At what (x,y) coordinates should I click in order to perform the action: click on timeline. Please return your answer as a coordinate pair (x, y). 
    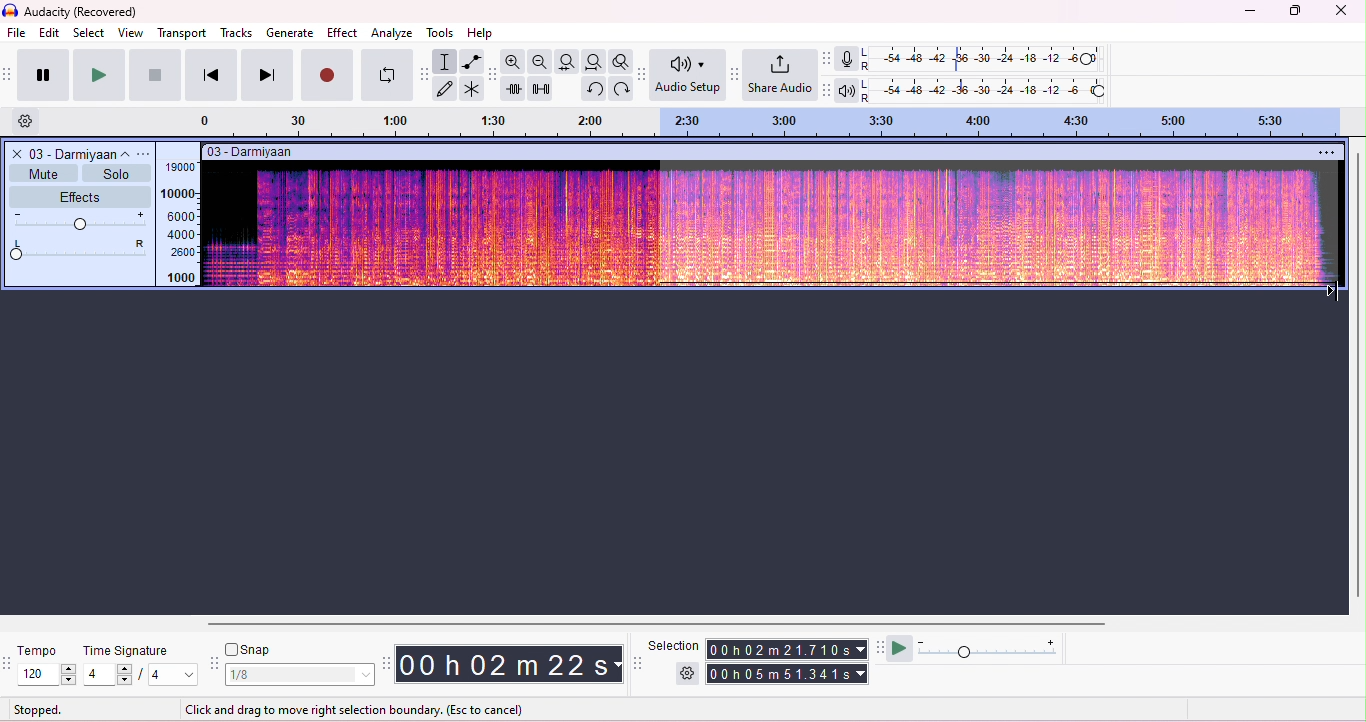
    Looking at the image, I should click on (779, 122).